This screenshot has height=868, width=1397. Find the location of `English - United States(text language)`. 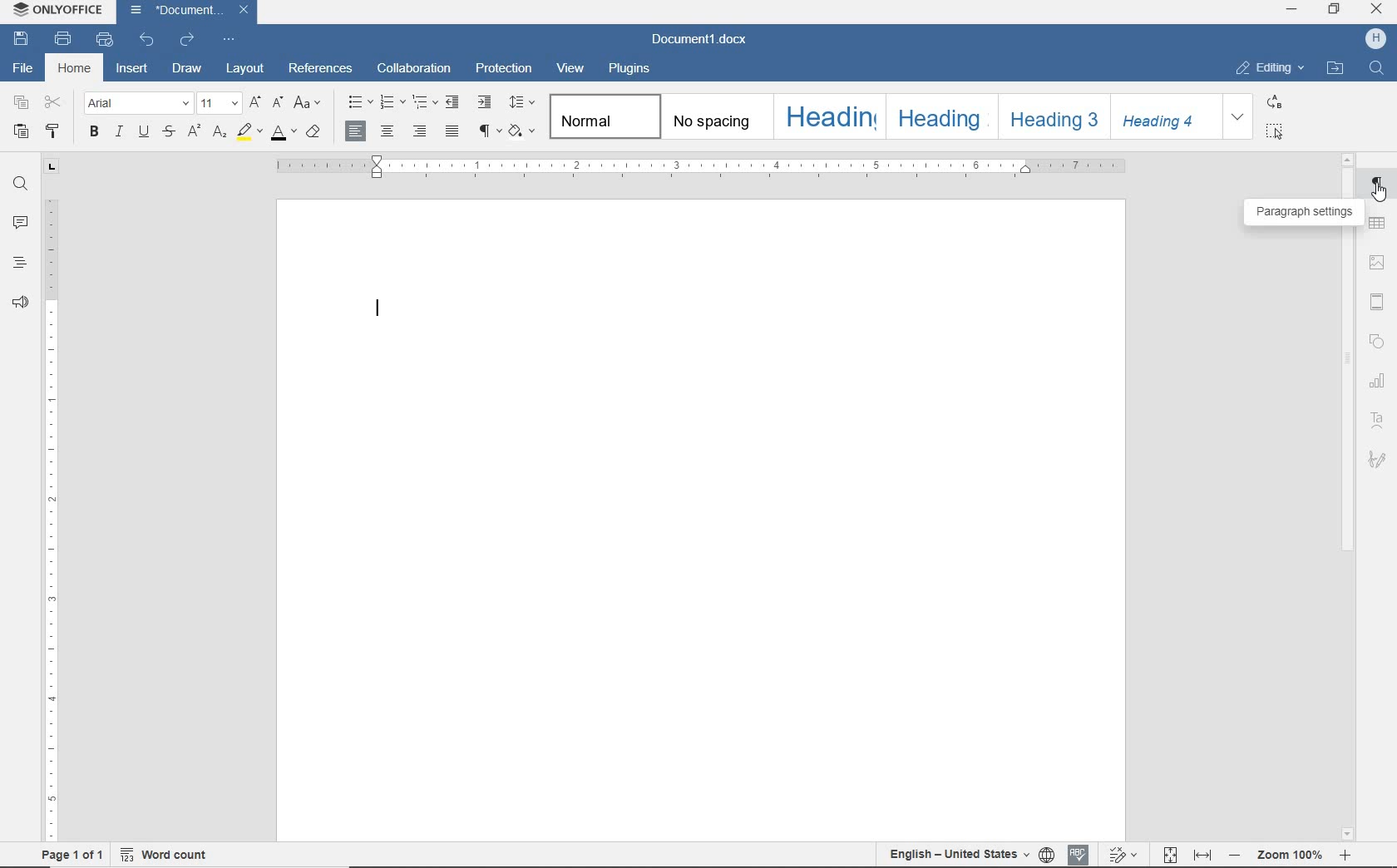

English - United States(text language) is located at coordinates (956, 856).